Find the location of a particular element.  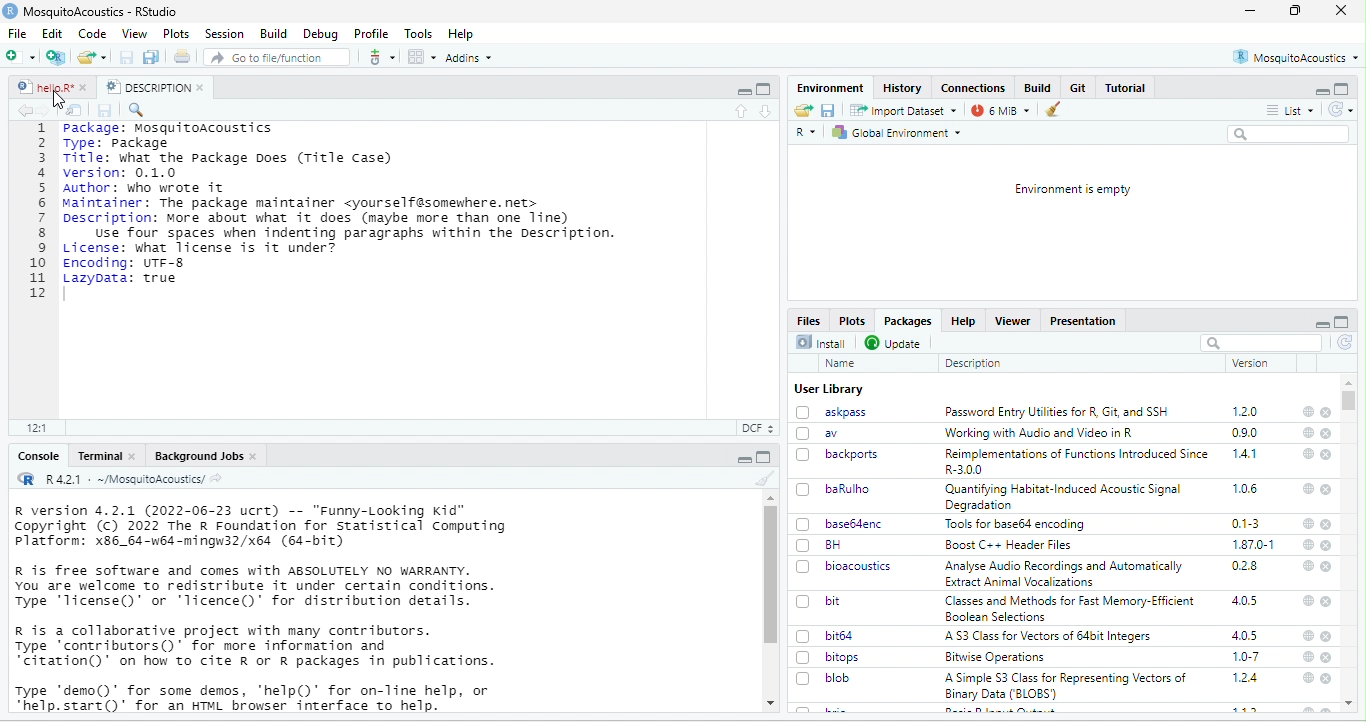

version is located at coordinates (1248, 363).